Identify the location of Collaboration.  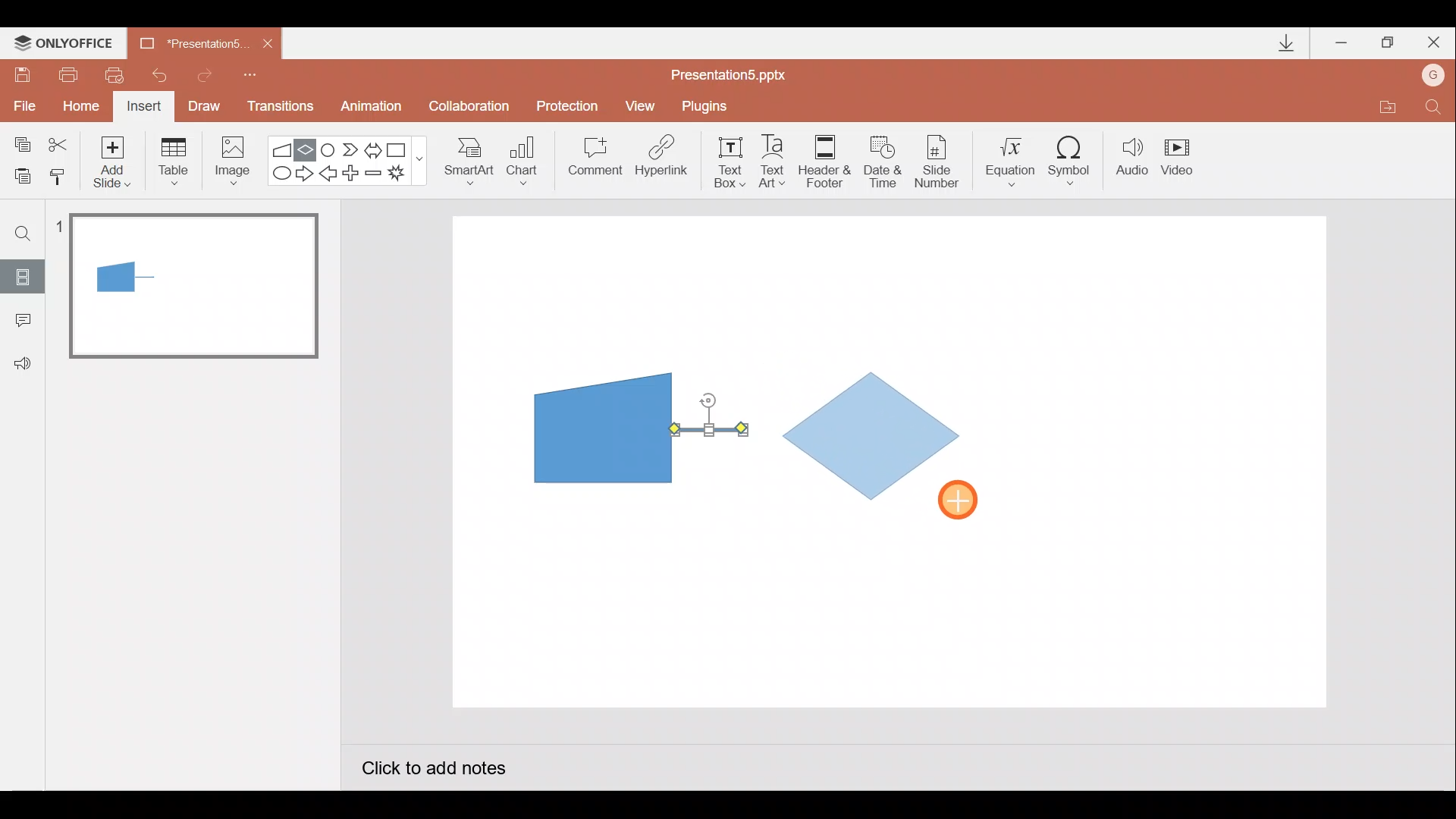
(472, 108).